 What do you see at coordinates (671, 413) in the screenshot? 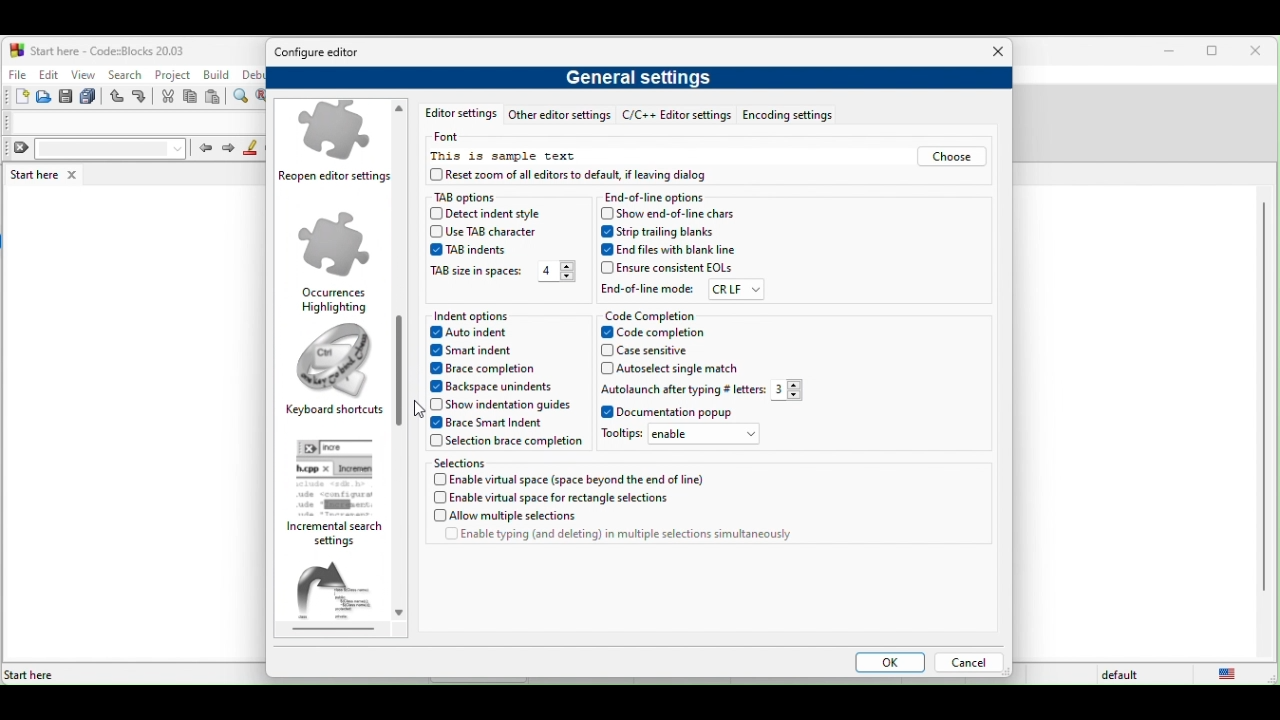
I see `documentation popup` at bounding box center [671, 413].